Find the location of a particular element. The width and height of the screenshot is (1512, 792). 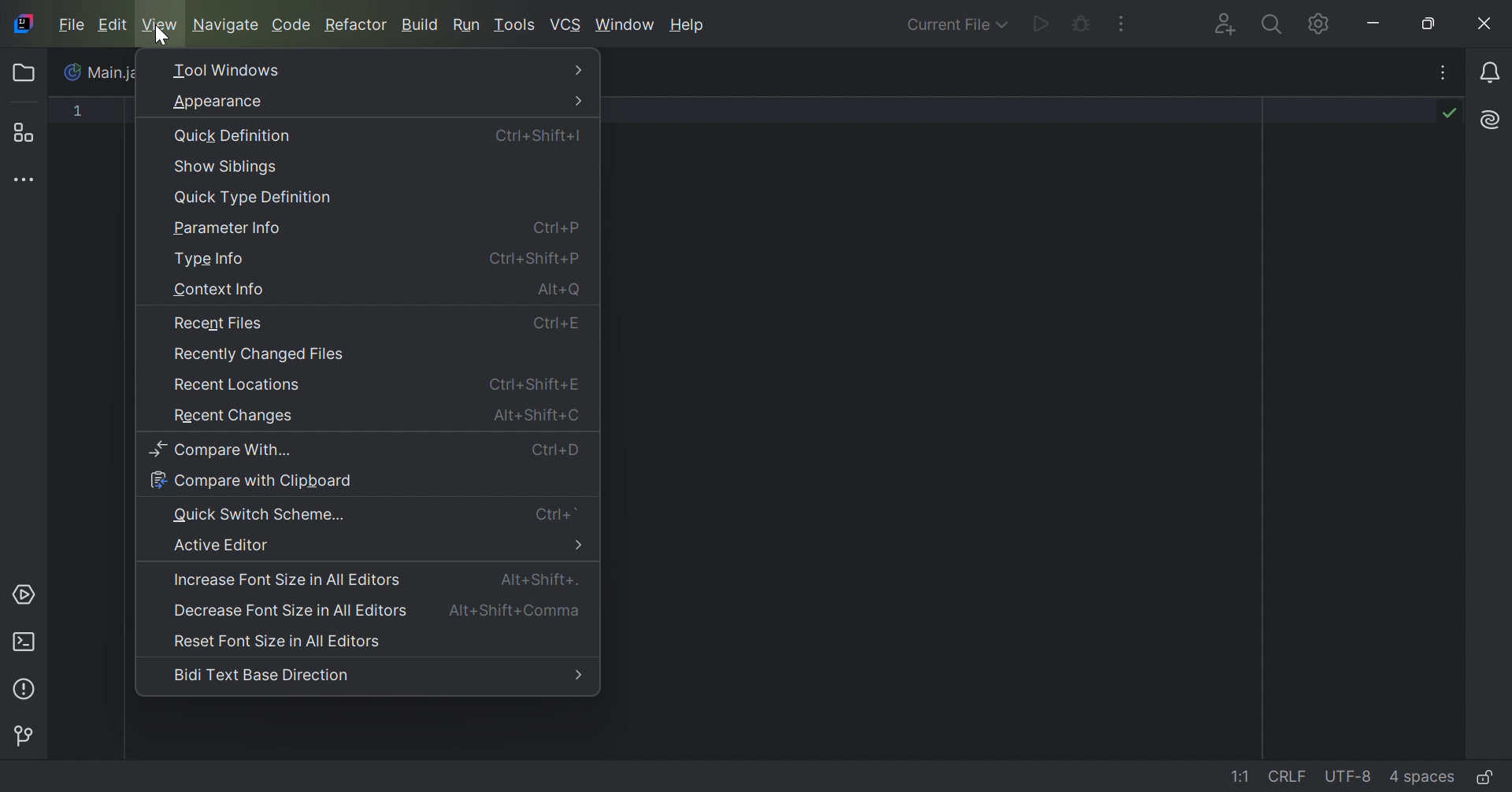

Run is located at coordinates (1039, 26).